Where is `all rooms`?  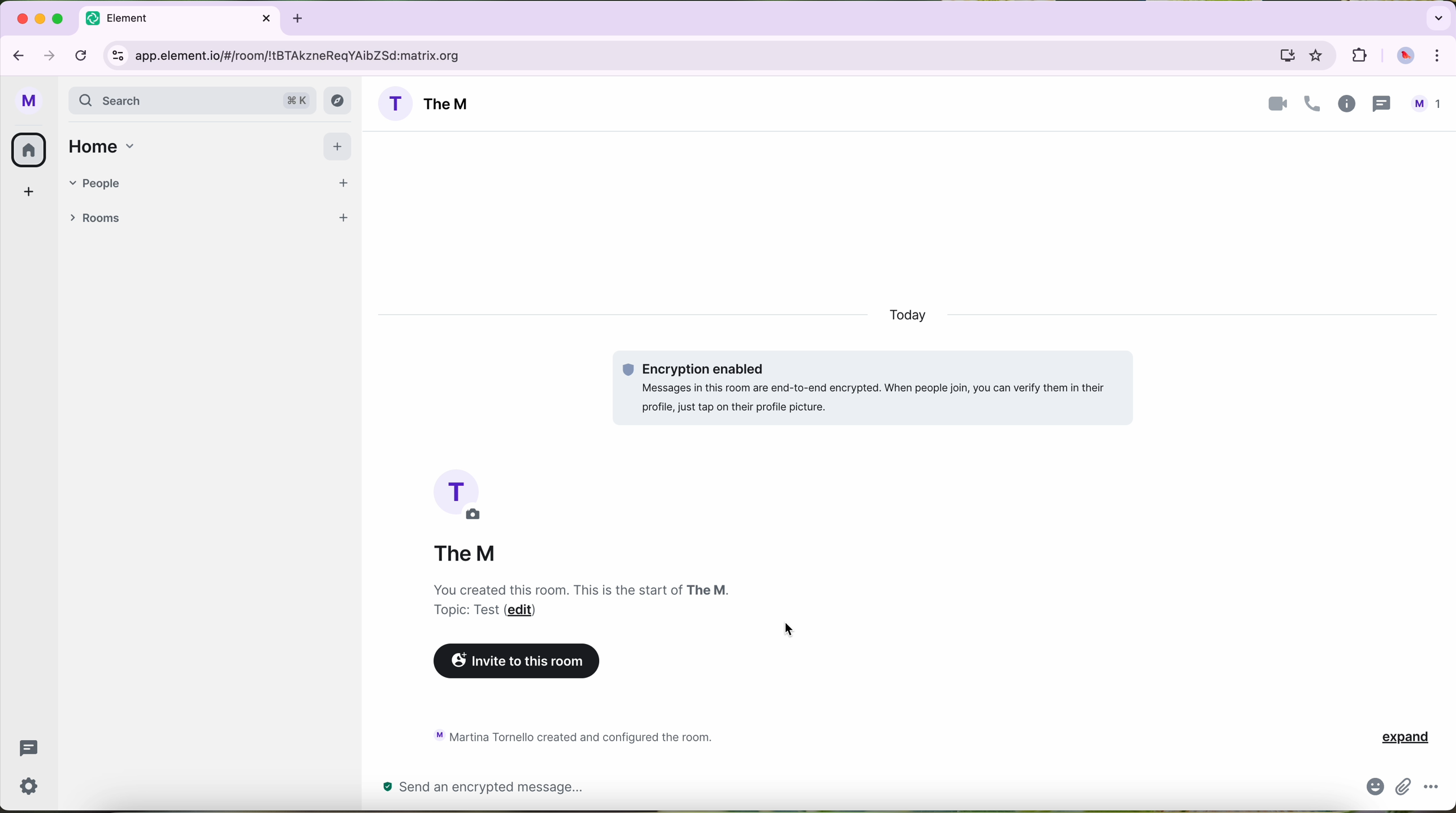 all rooms is located at coordinates (28, 149).